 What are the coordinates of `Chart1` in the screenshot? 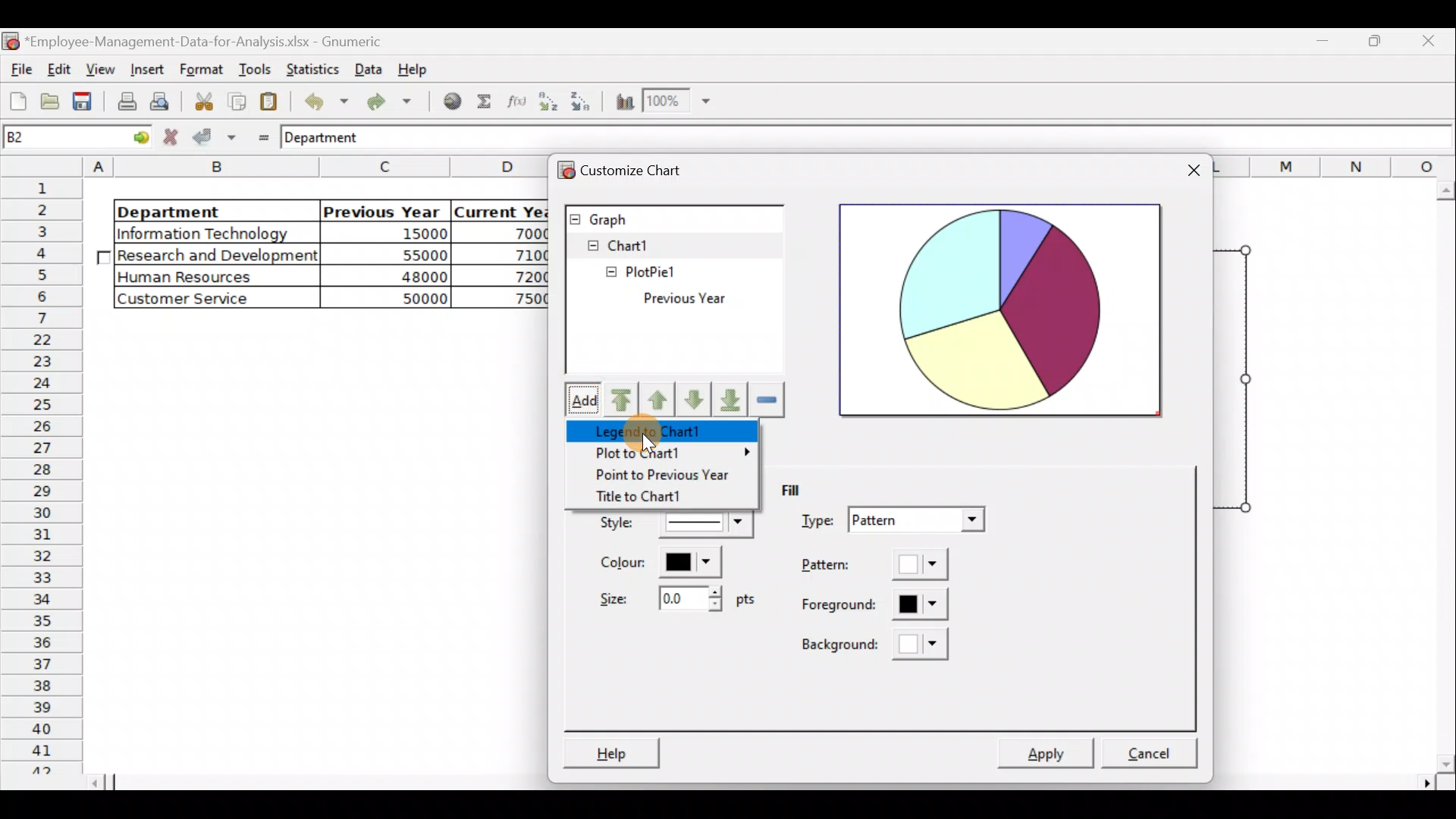 It's located at (638, 244).